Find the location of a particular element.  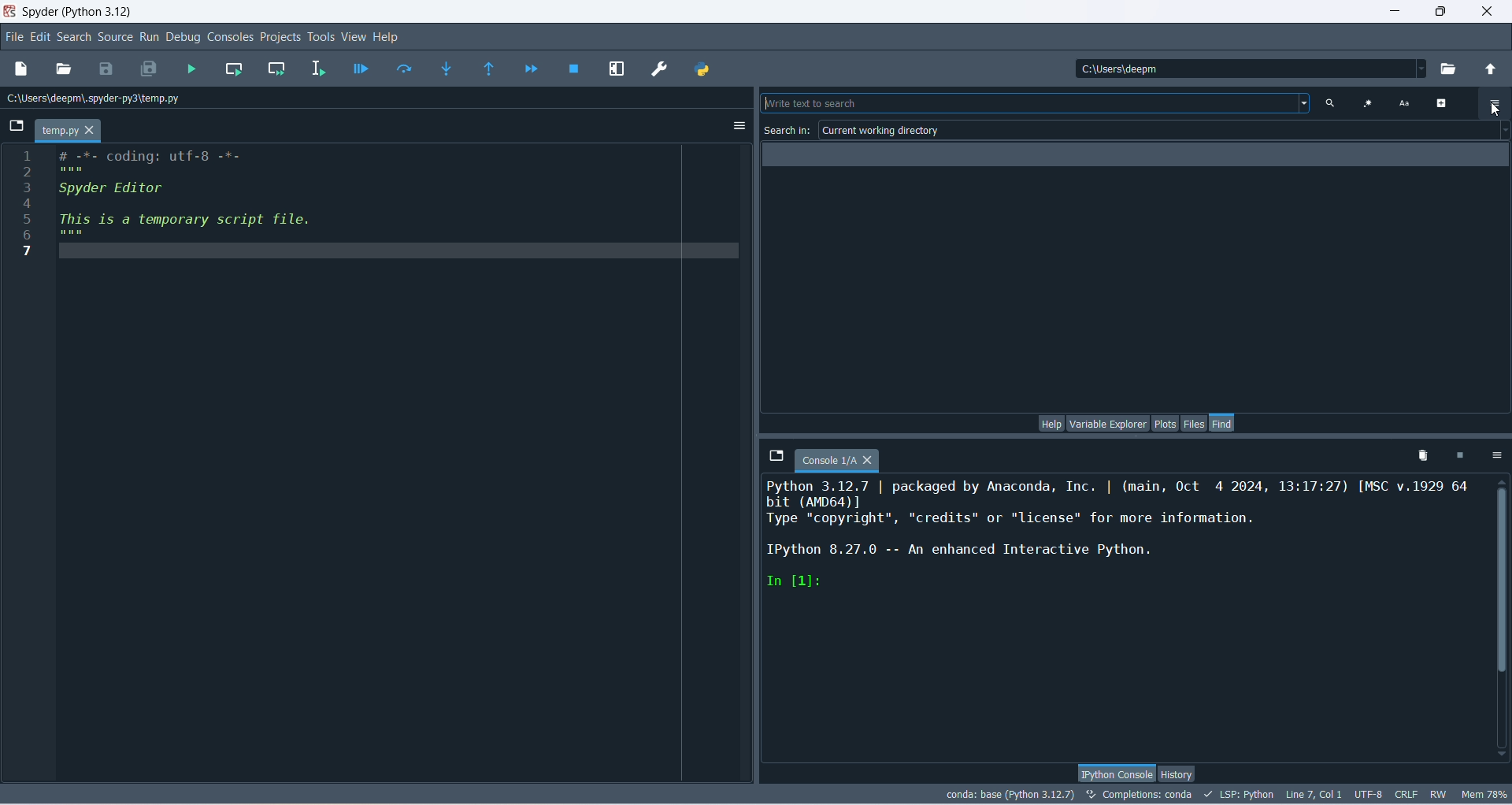

view is located at coordinates (353, 36).